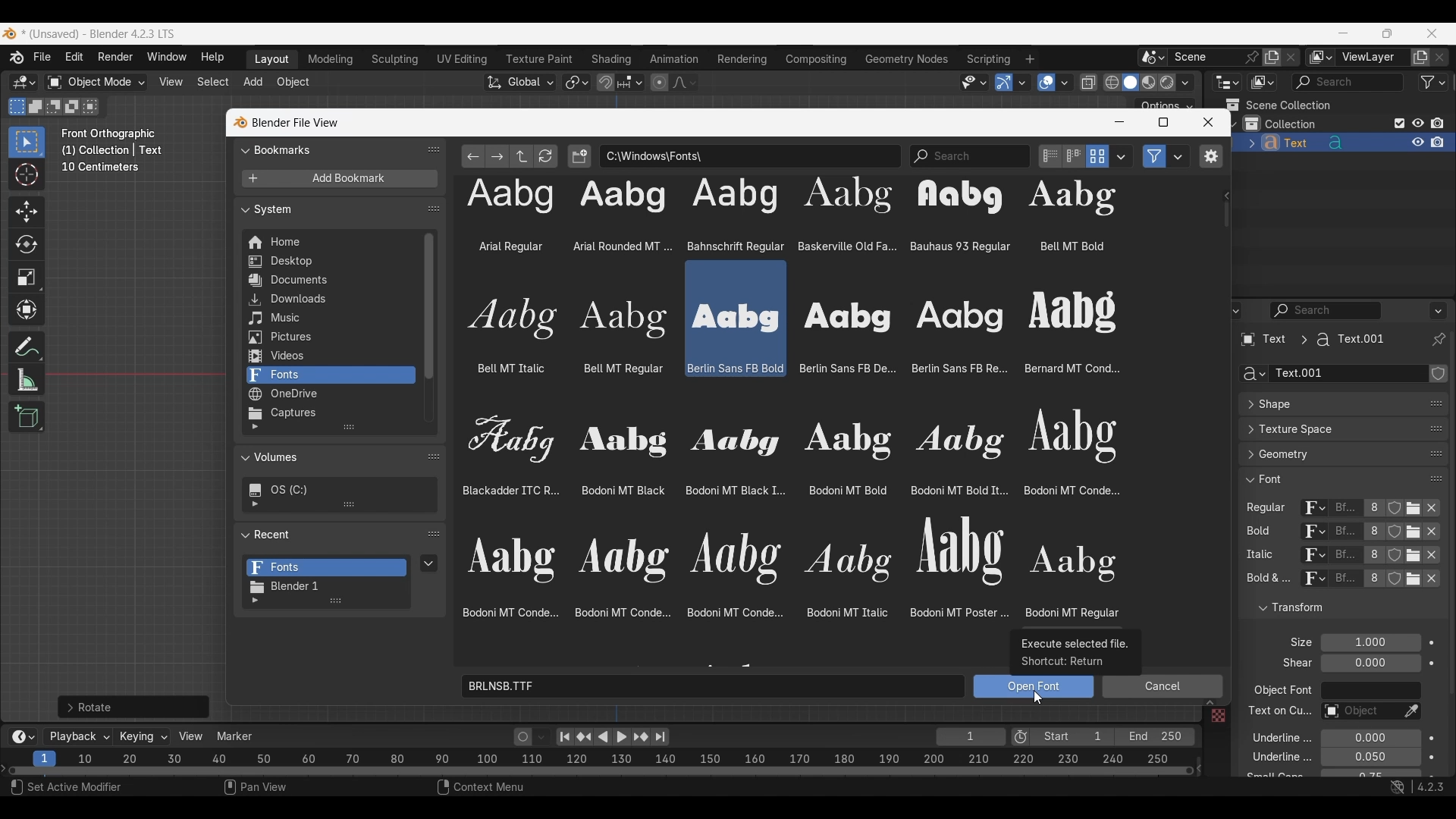 The height and width of the screenshot is (819, 1456). What do you see at coordinates (21, 737) in the screenshot?
I see `More options` at bounding box center [21, 737].